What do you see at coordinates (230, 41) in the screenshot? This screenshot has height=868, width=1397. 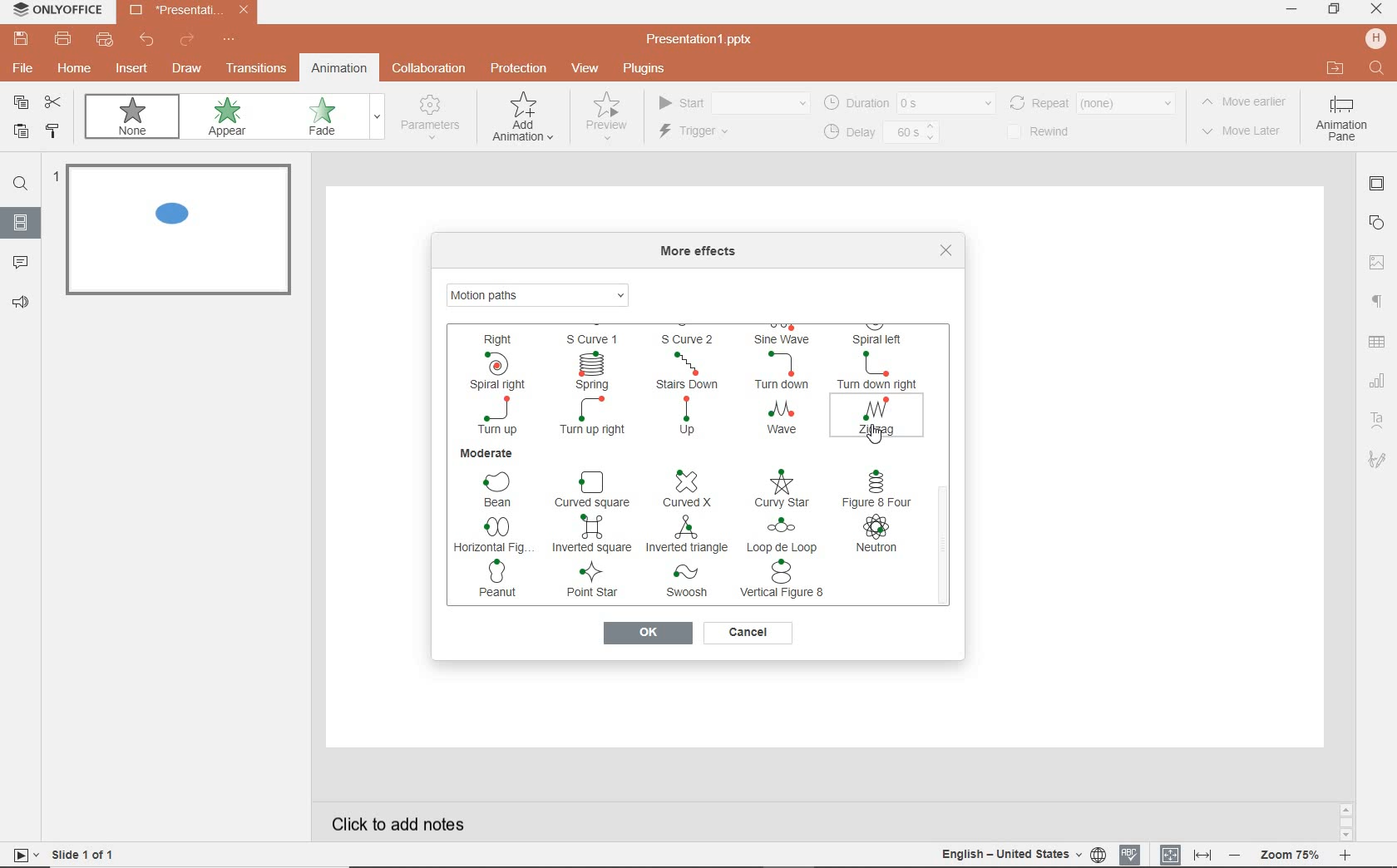 I see `customize quick access toolbar` at bounding box center [230, 41].